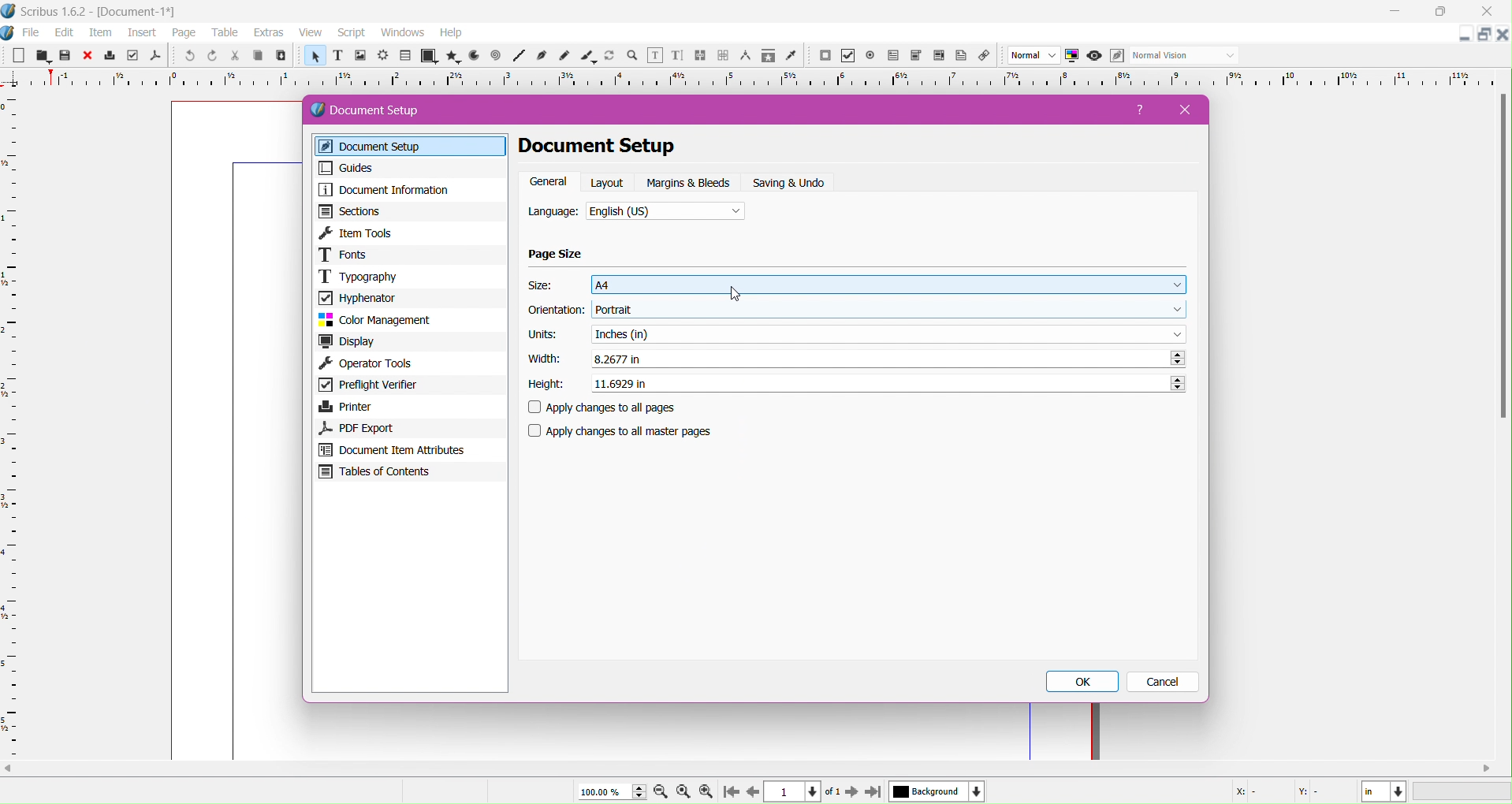 This screenshot has height=804, width=1512. What do you see at coordinates (937, 791) in the screenshot?
I see `background` at bounding box center [937, 791].